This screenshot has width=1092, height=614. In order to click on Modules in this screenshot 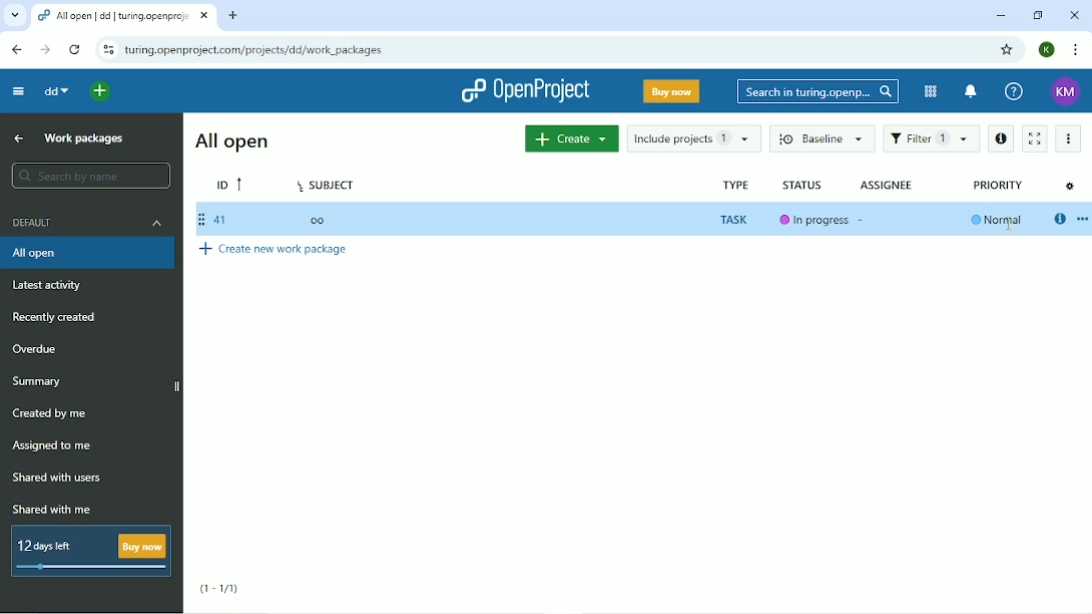, I will do `click(929, 92)`.